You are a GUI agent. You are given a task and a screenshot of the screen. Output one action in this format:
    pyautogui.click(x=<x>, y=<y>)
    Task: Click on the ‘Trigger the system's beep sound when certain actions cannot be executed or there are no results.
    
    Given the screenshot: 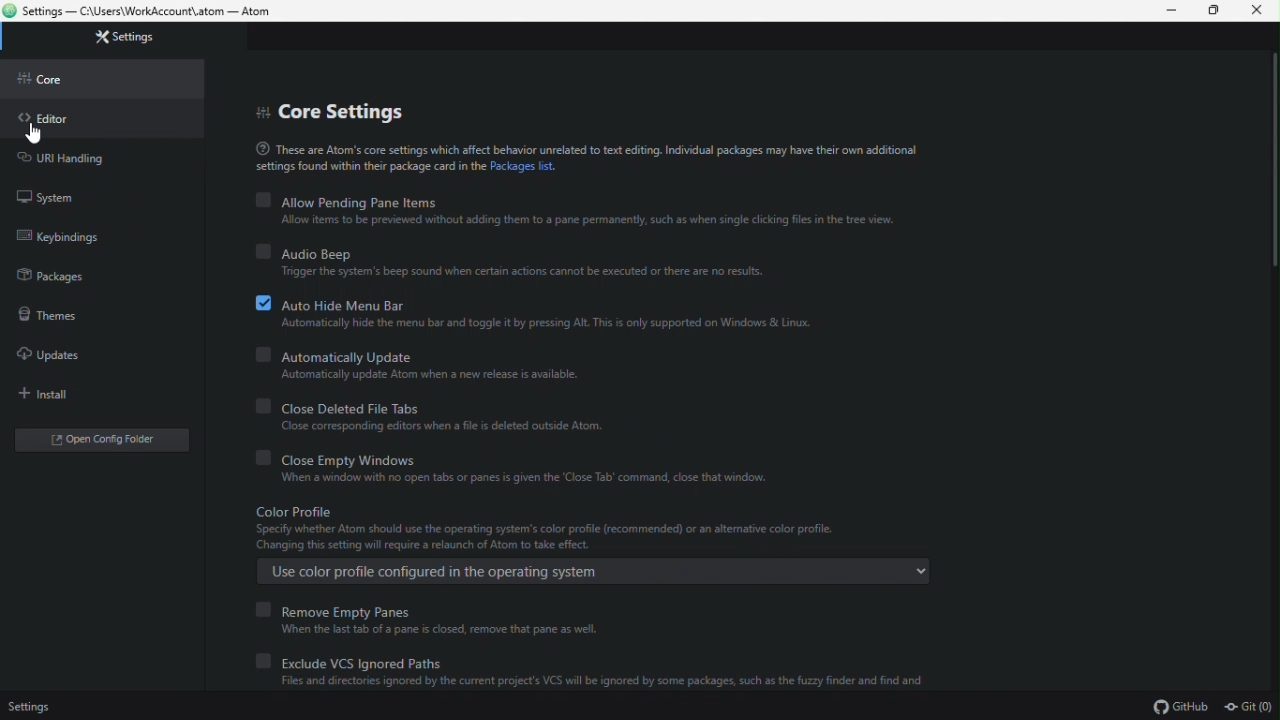 What is the action you would take?
    pyautogui.click(x=527, y=273)
    